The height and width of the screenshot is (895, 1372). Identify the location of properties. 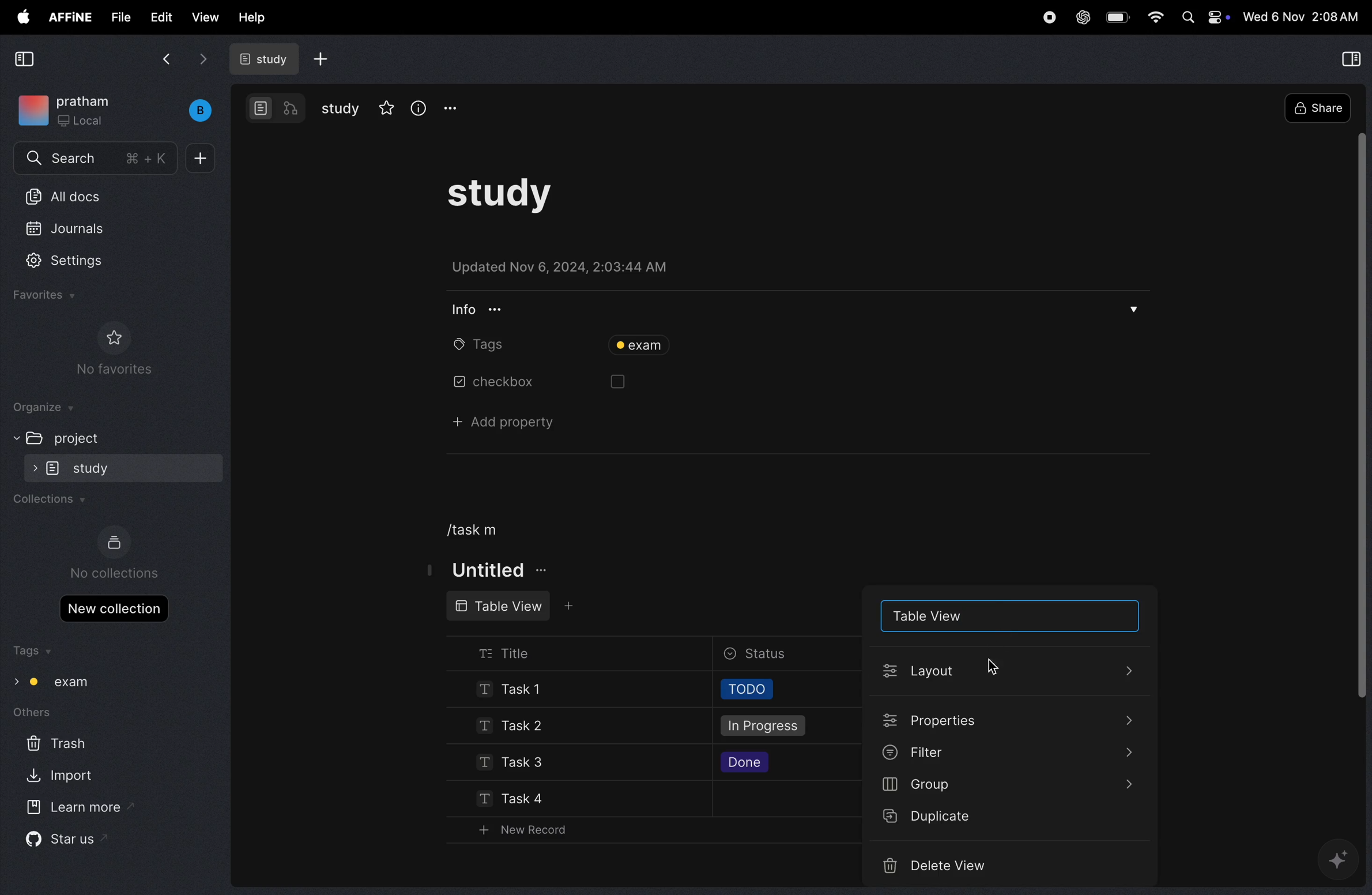
(1007, 720).